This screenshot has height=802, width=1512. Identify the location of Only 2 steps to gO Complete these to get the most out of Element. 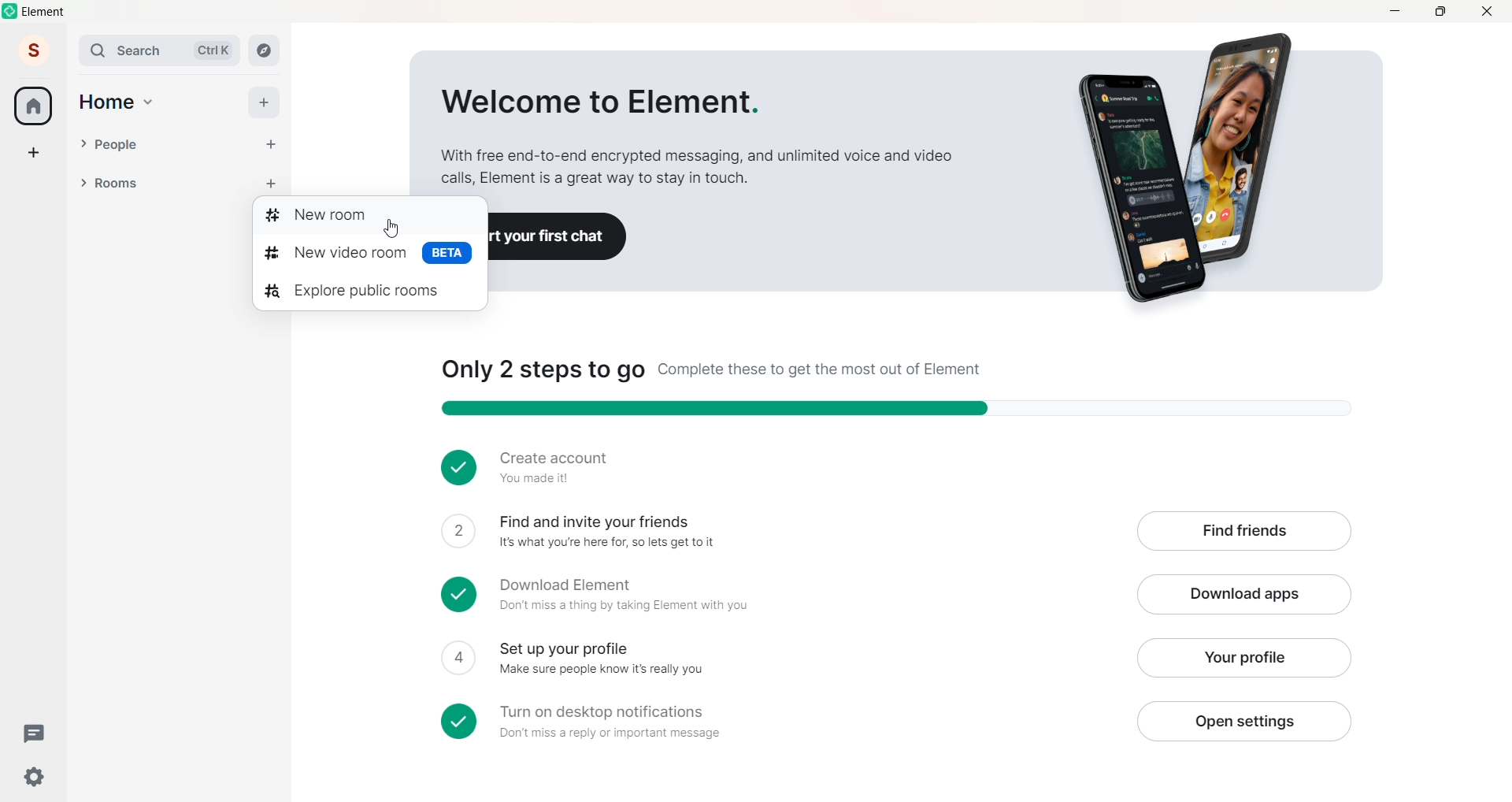
(712, 370).